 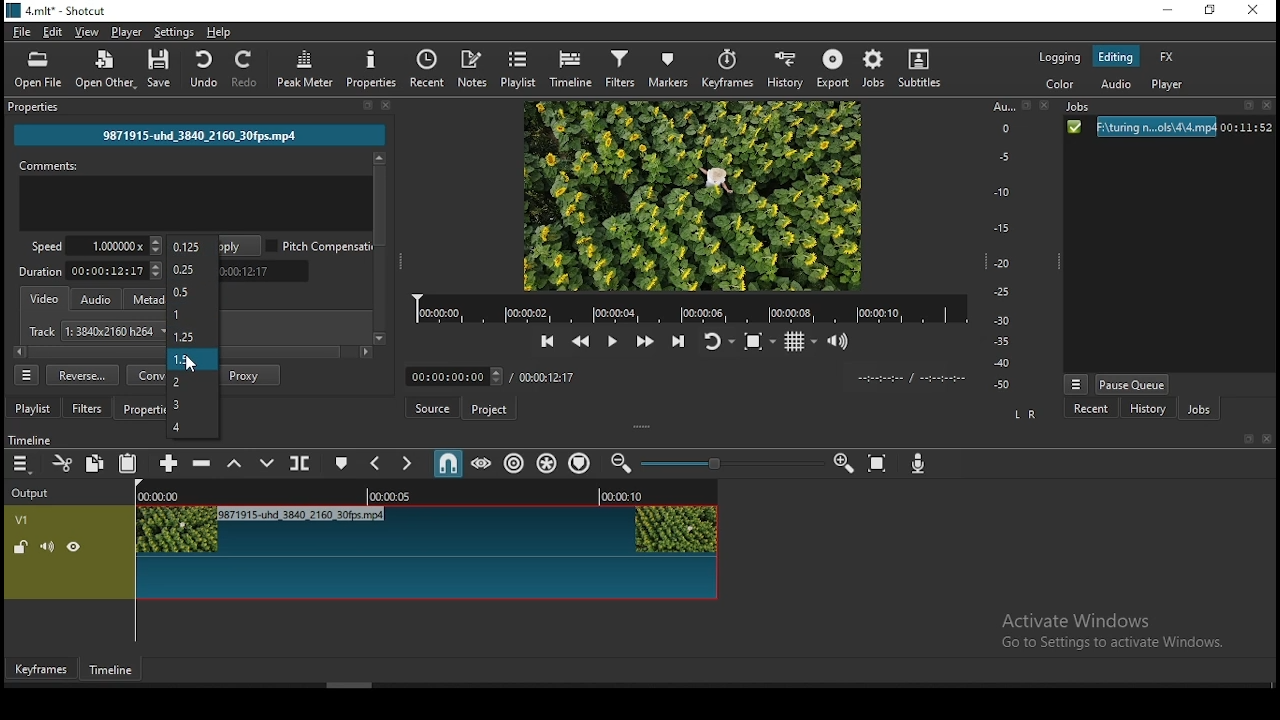 What do you see at coordinates (42, 297) in the screenshot?
I see `video` at bounding box center [42, 297].